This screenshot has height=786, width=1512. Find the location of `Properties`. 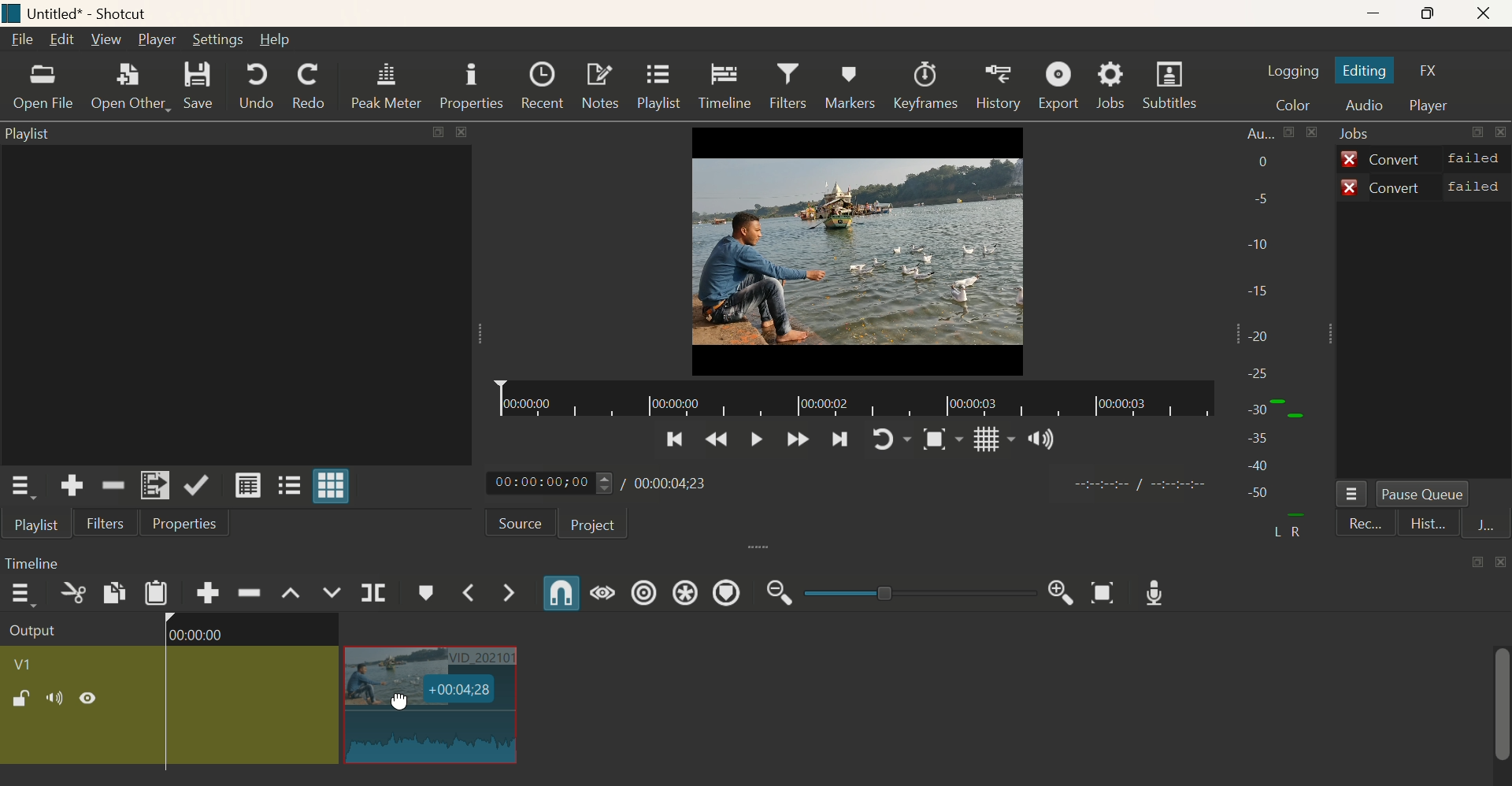

Properties is located at coordinates (470, 87).